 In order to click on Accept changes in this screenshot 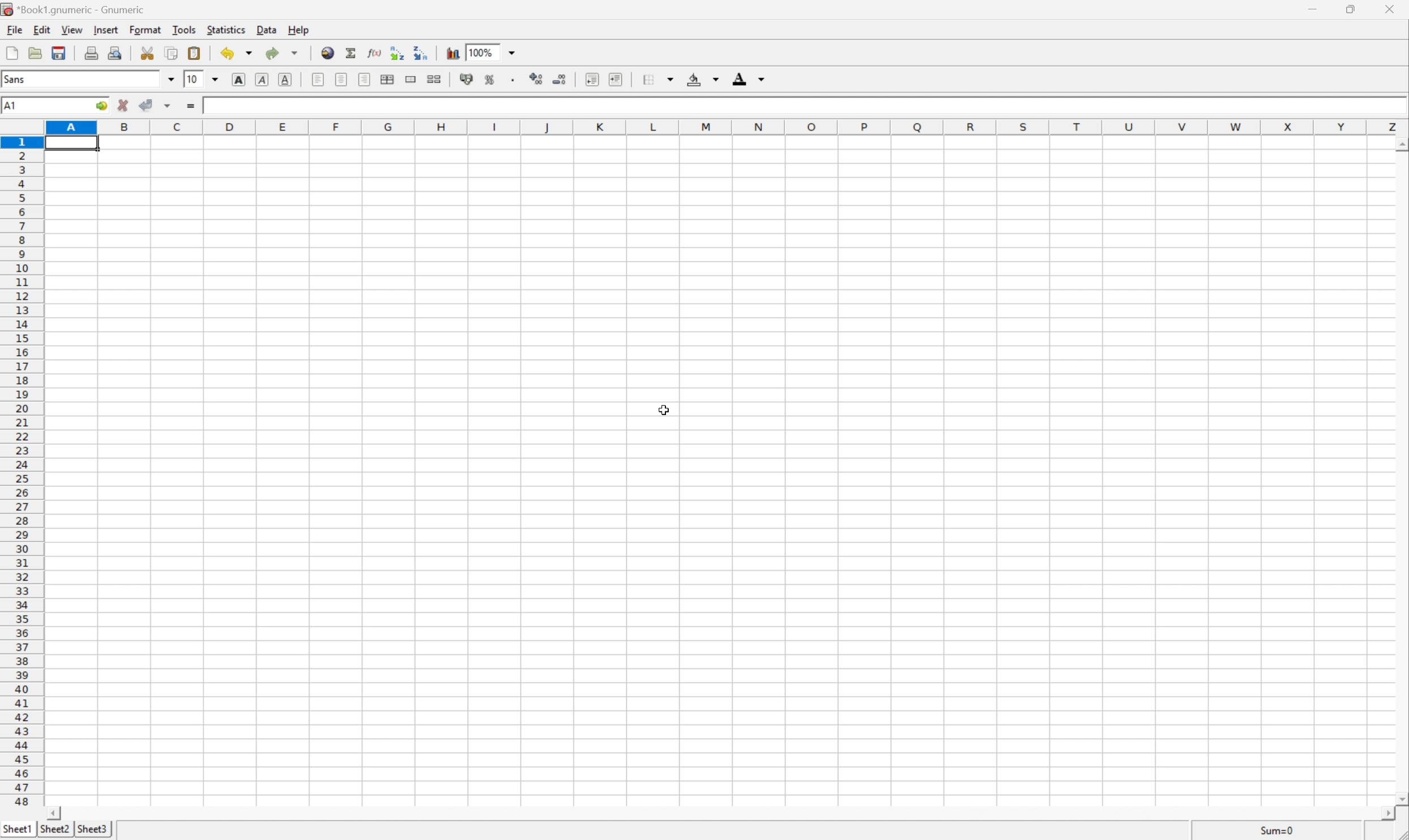, I will do `click(146, 106)`.